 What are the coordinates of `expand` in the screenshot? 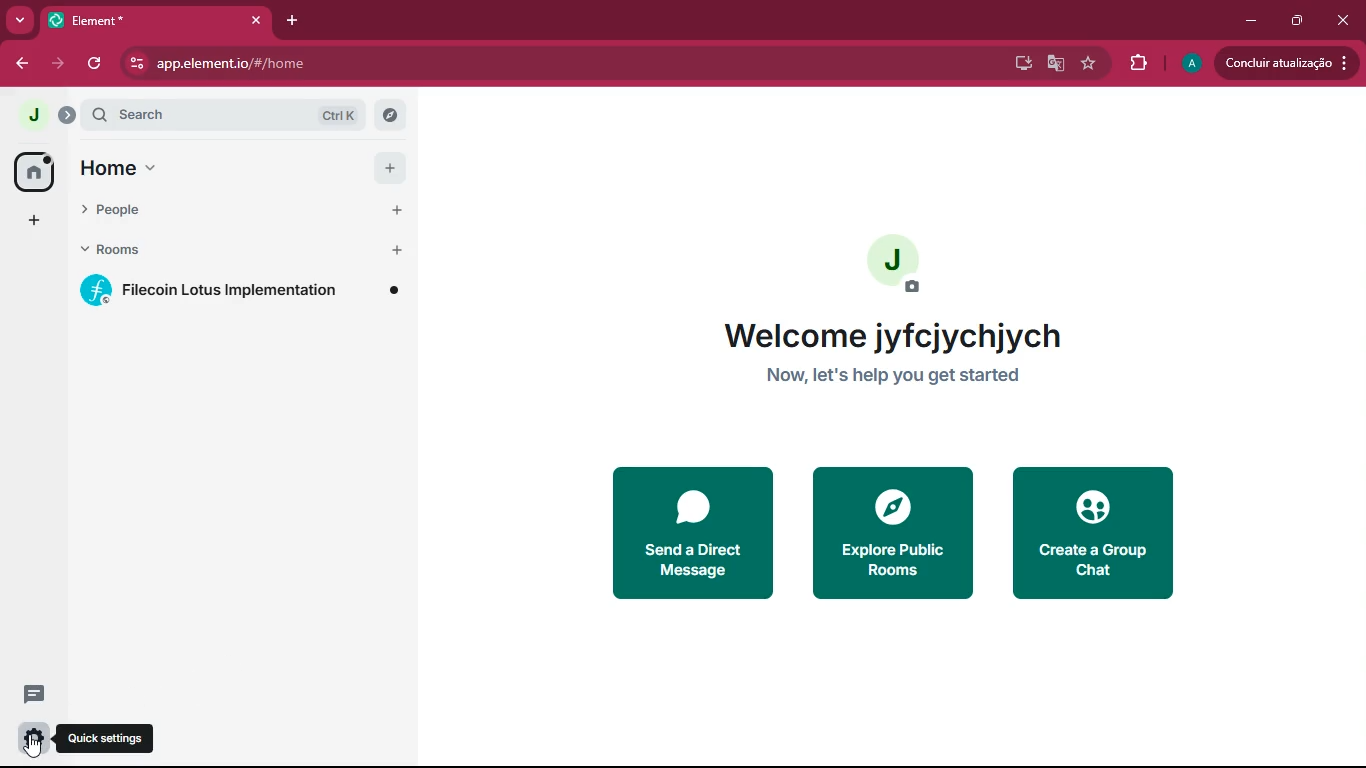 It's located at (68, 115).